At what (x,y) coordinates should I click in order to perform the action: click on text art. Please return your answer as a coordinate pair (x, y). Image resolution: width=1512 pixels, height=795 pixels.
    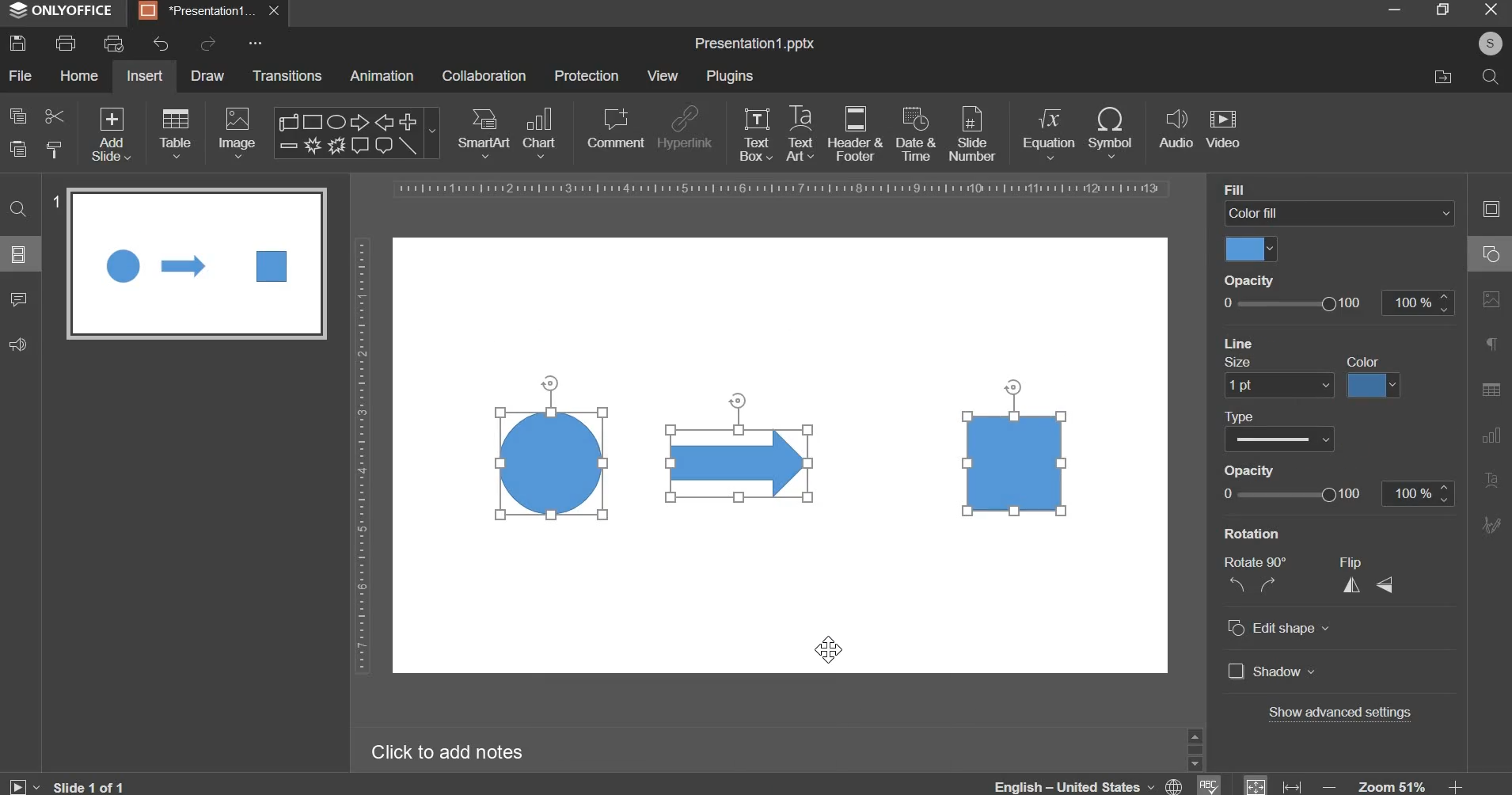
    Looking at the image, I should click on (800, 133).